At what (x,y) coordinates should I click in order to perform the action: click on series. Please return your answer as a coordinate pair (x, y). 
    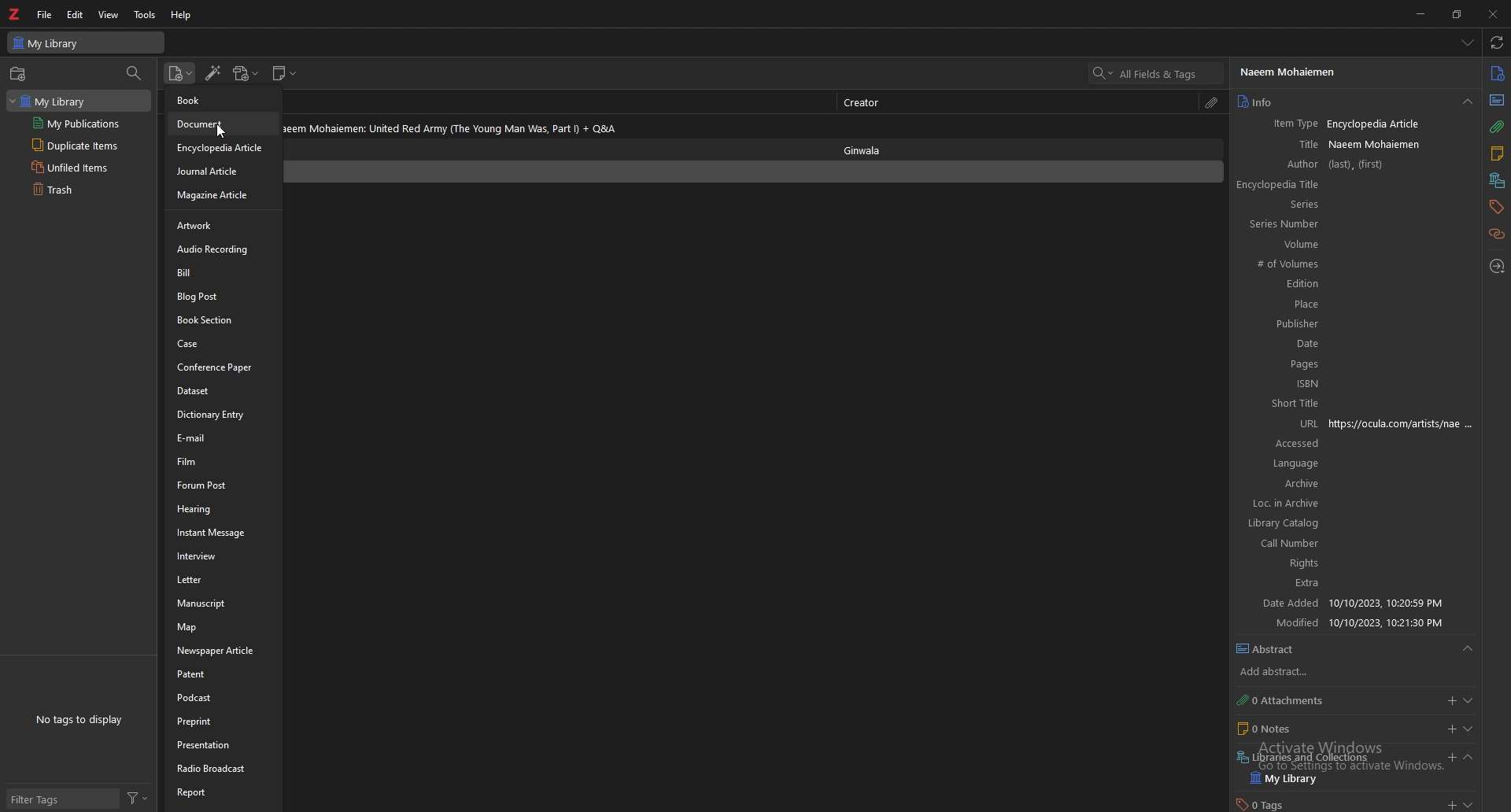
    Looking at the image, I should click on (1302, 204).